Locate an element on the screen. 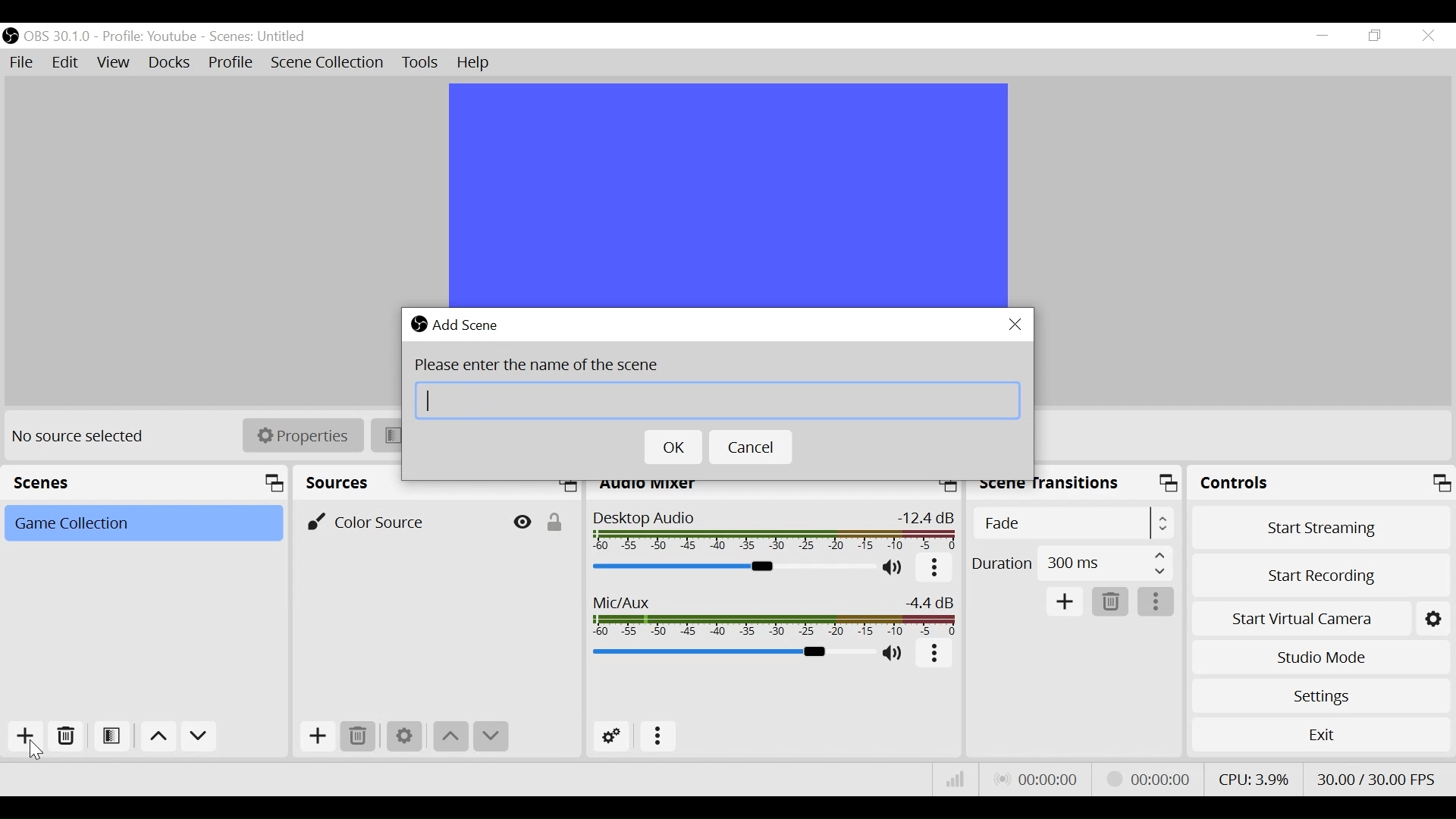 This screenshot has width=1456, height=819. more options is located at coordinates (659, 736).